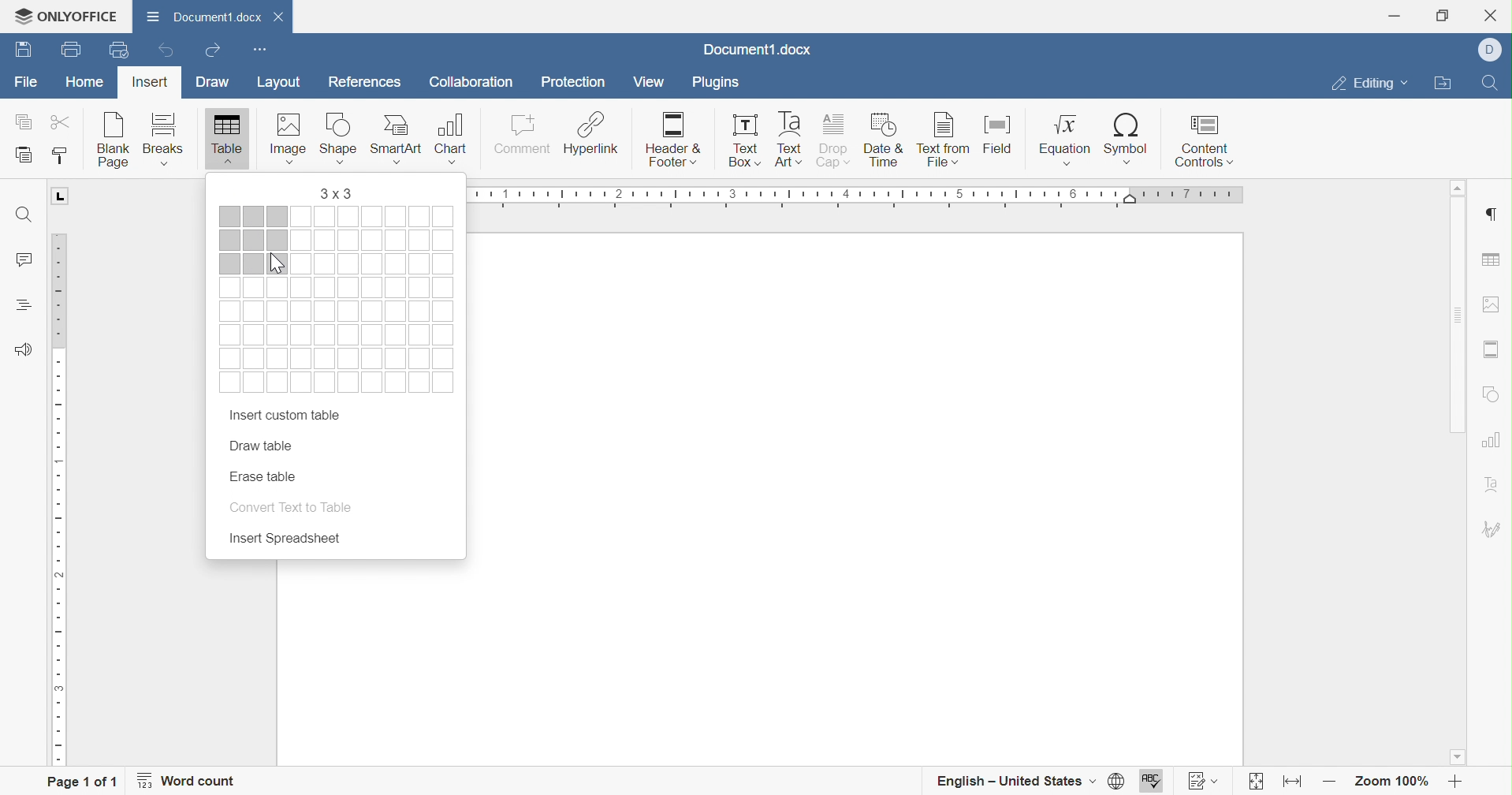 The height and width of the screenshot is (795, 1512). I want to click on Scroll up, so click(1456, 188).